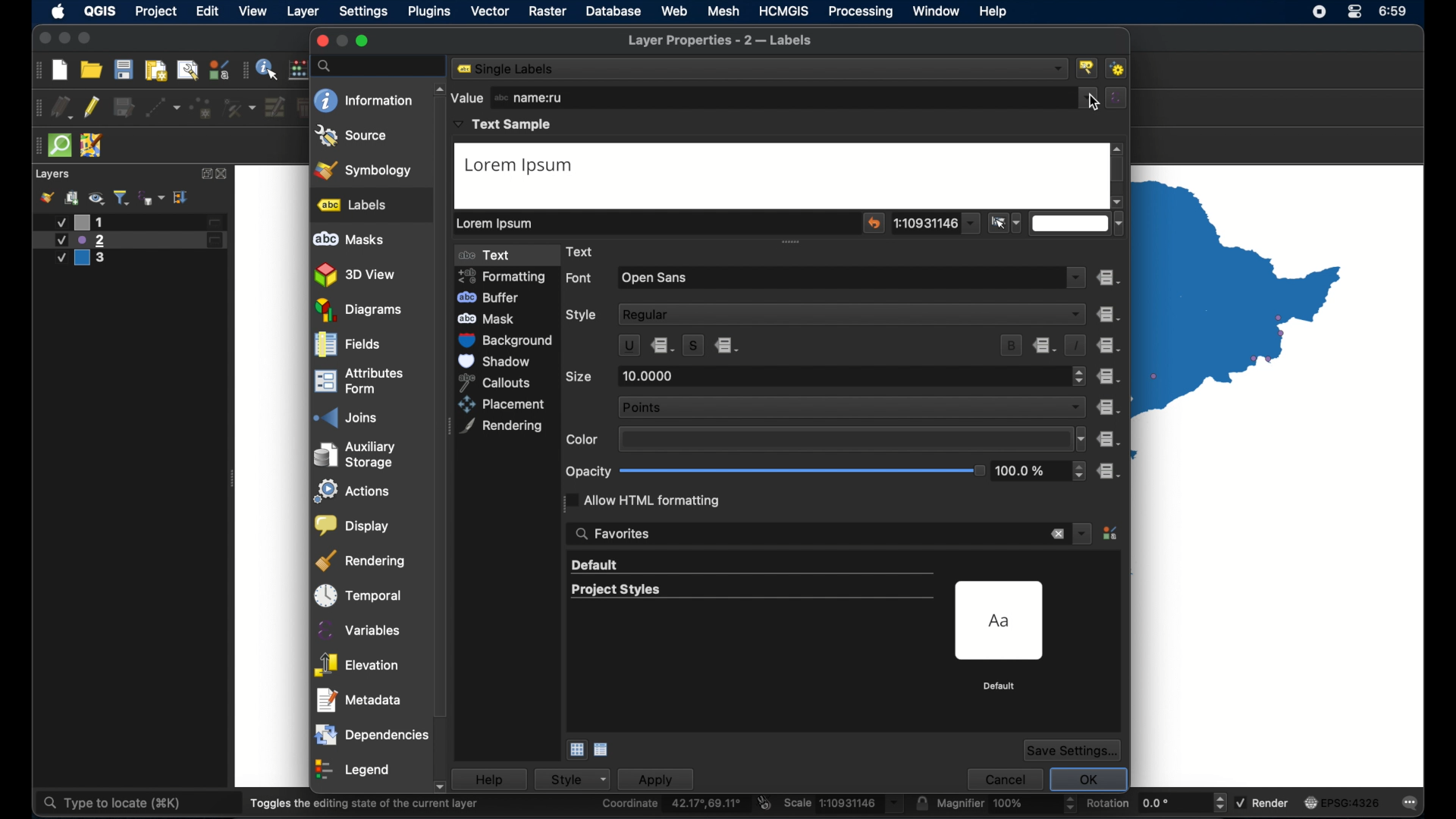 This screenshot has height=819, width=1456. Describe the element at coordinates (359, 380) in the screenshot. I see `attributes form` at that location.